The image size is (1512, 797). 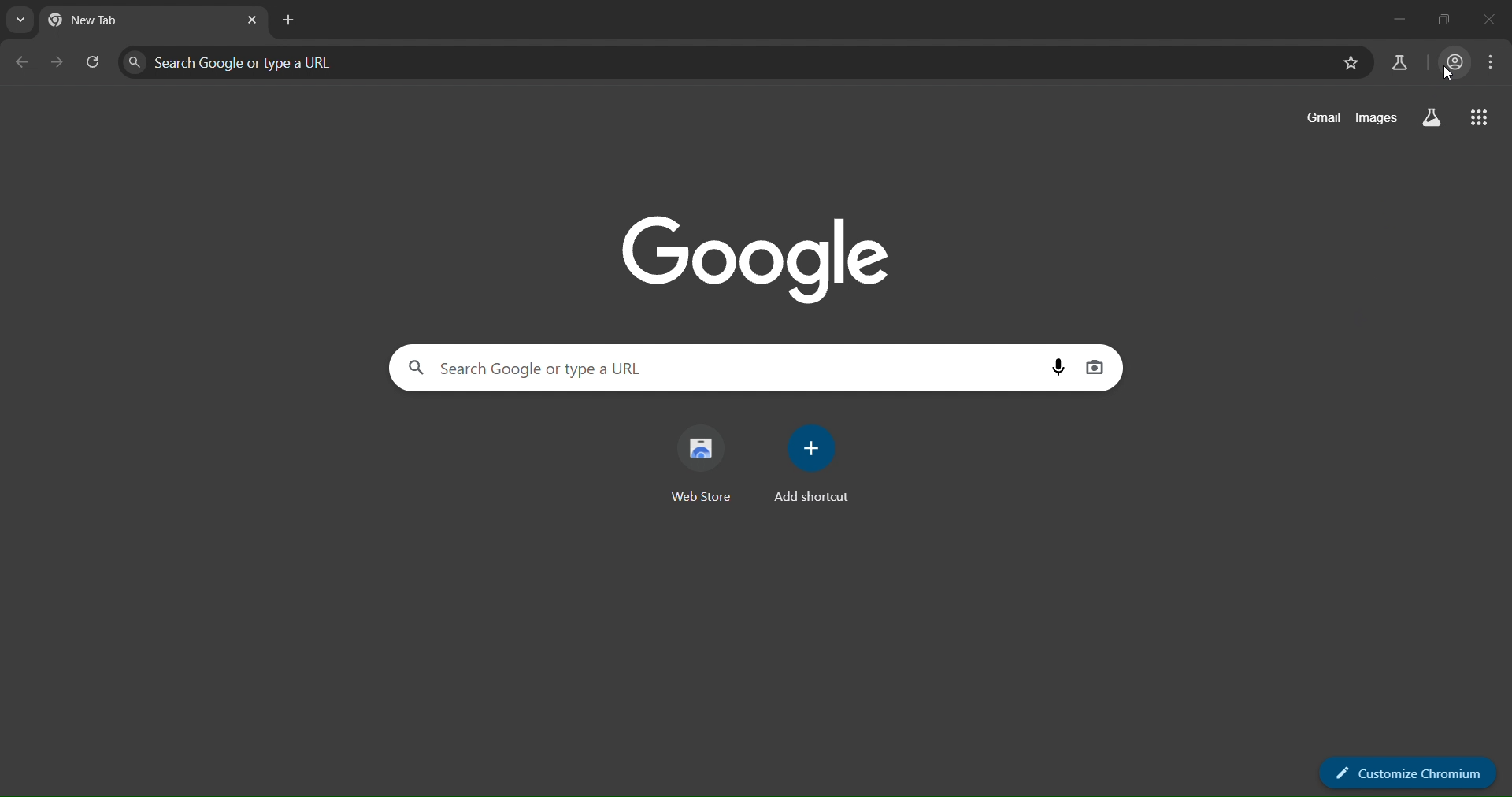 What do you see at coordinates (250, 20) in the screenshot?
I see `close tab` at bounding box center [250, 20].